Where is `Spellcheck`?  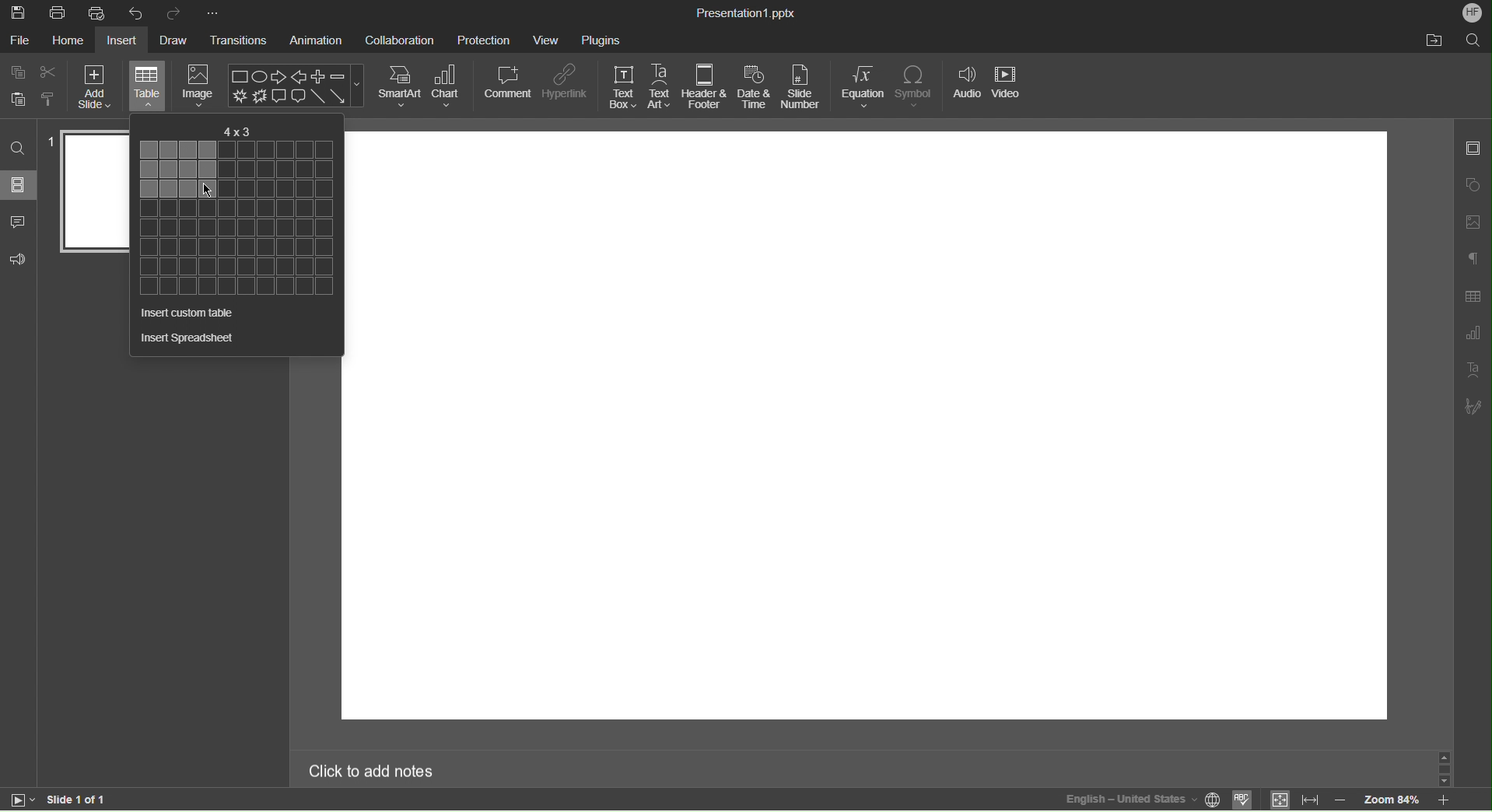
Spellcheck is located at coordinates (1243, 800).